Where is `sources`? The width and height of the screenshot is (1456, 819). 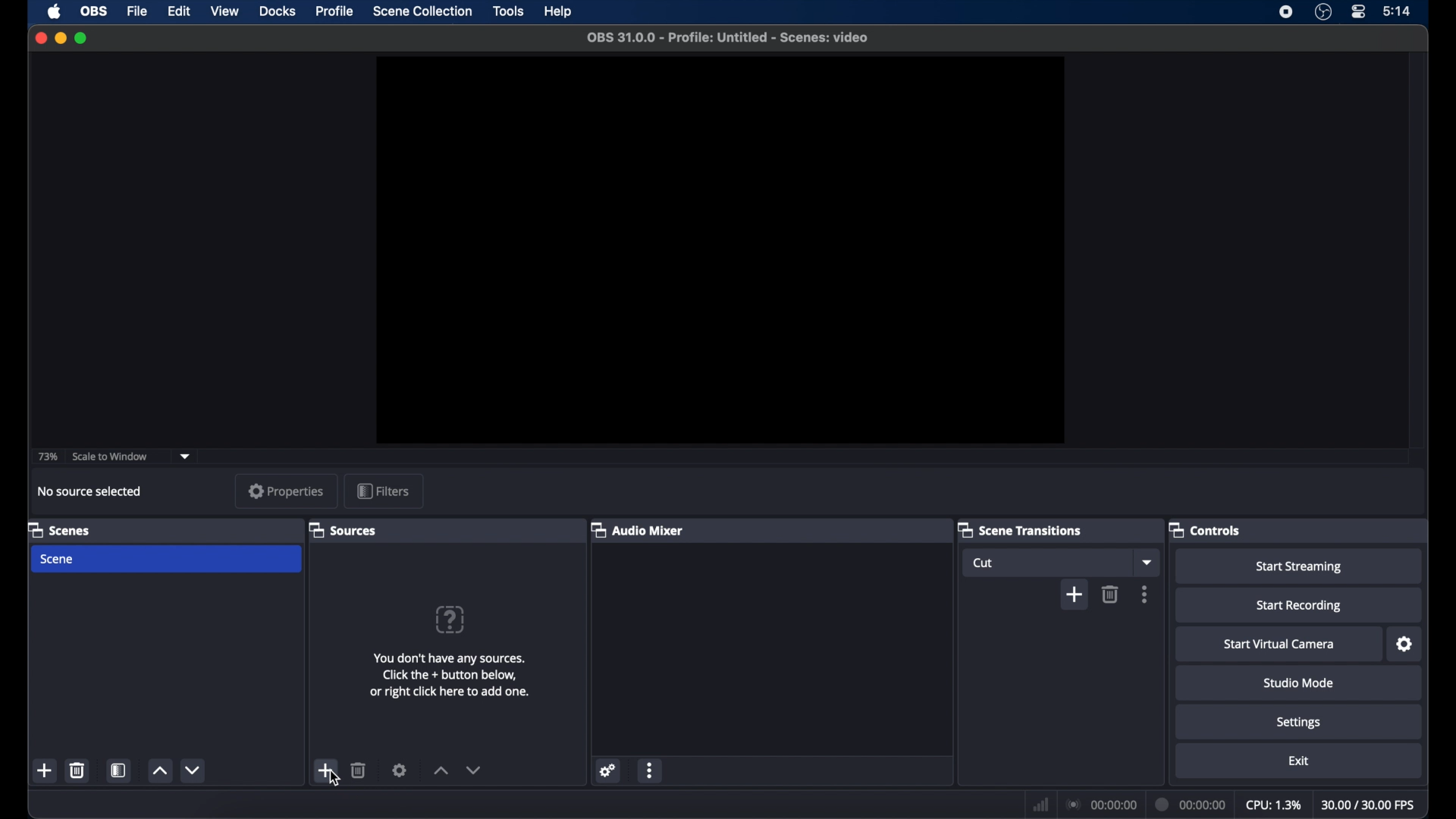 sources is located at coordinates (342, 529).